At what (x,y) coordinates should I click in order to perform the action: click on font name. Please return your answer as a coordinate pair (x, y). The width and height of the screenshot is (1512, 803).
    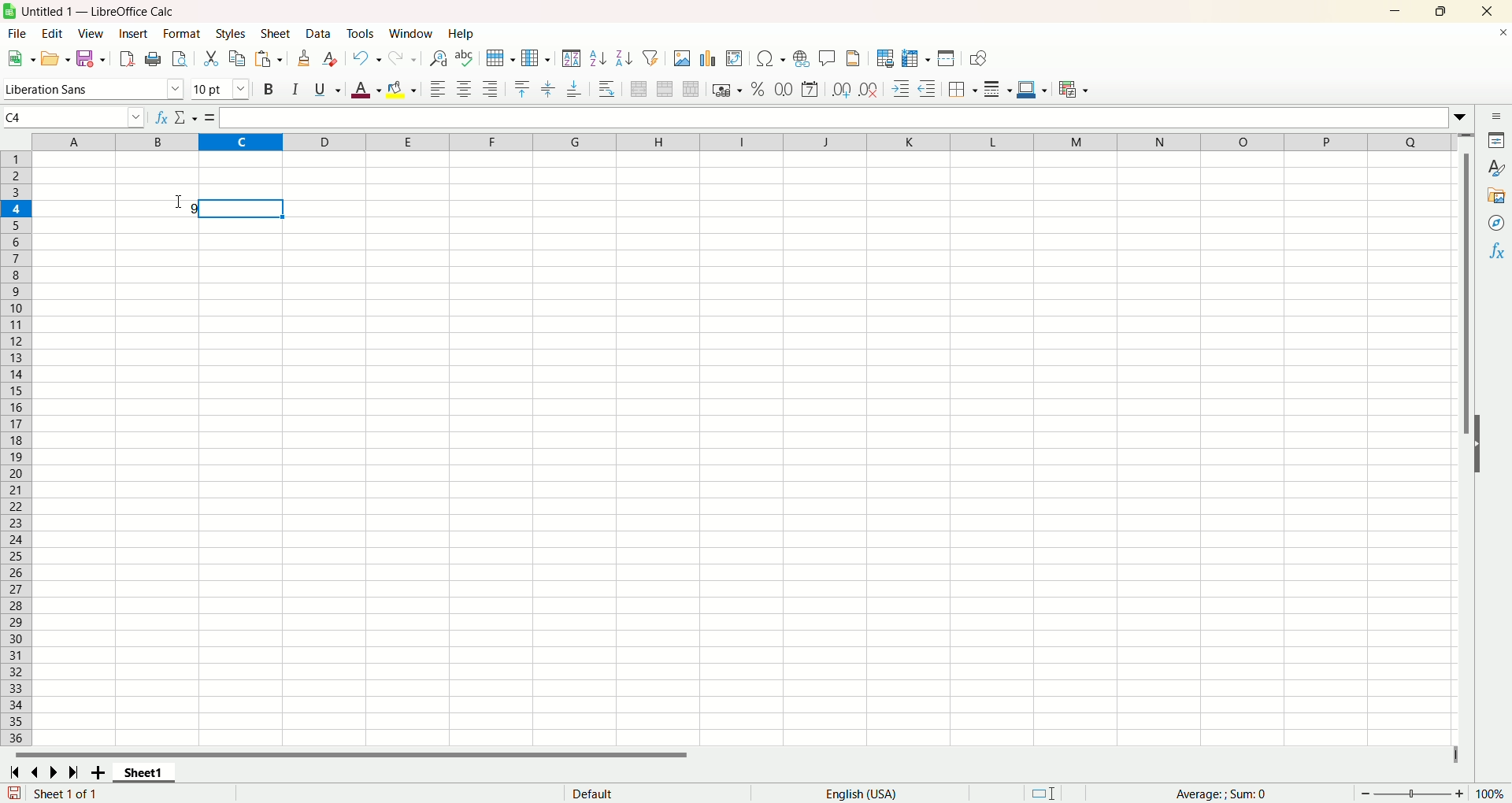
    Looking at the image, I should click on (93, 90).